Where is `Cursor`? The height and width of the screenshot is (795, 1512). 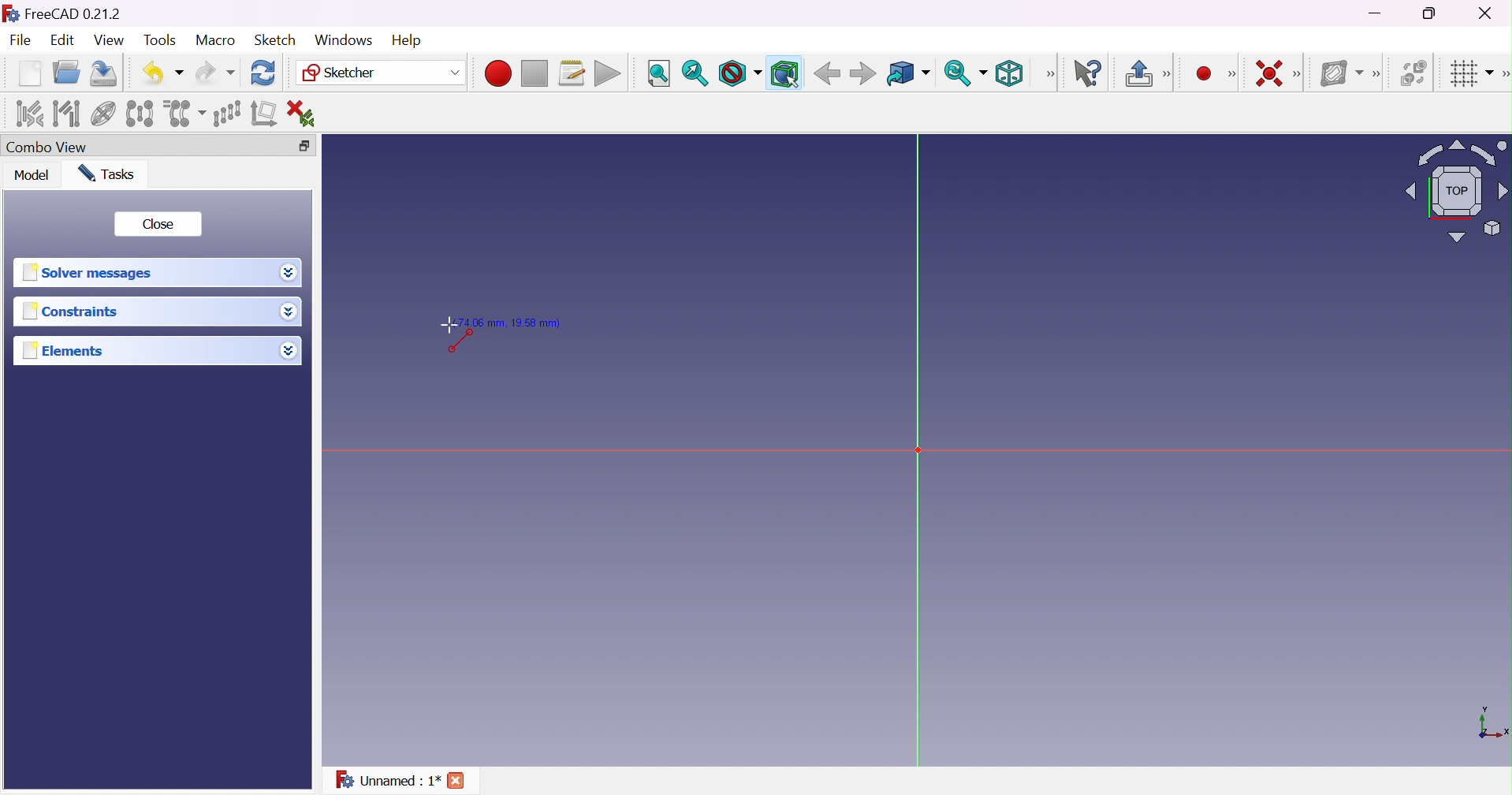 Cursor is located at coordinates (447, 322).